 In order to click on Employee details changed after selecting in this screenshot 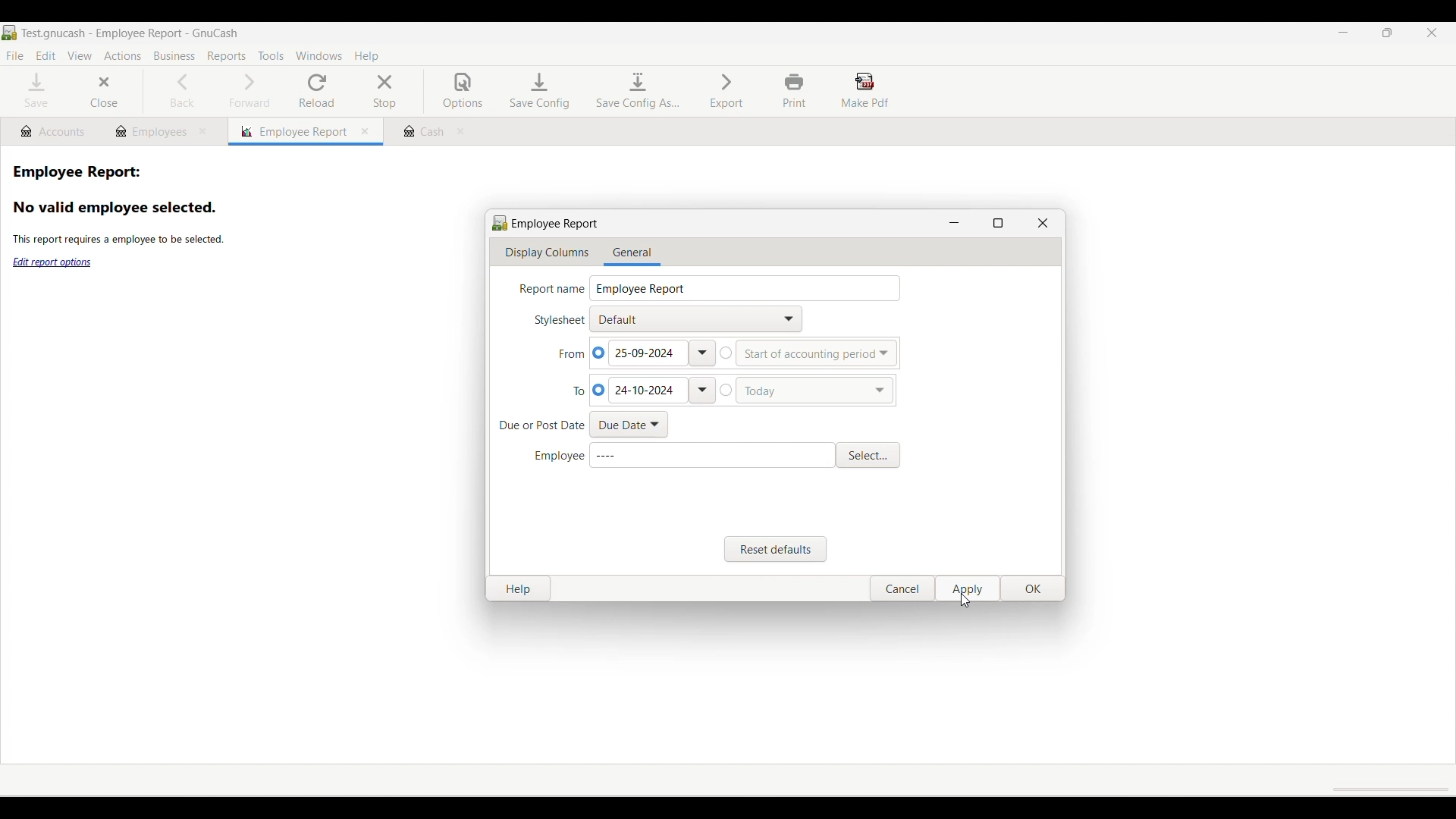, I will do `click(711, 455)`.